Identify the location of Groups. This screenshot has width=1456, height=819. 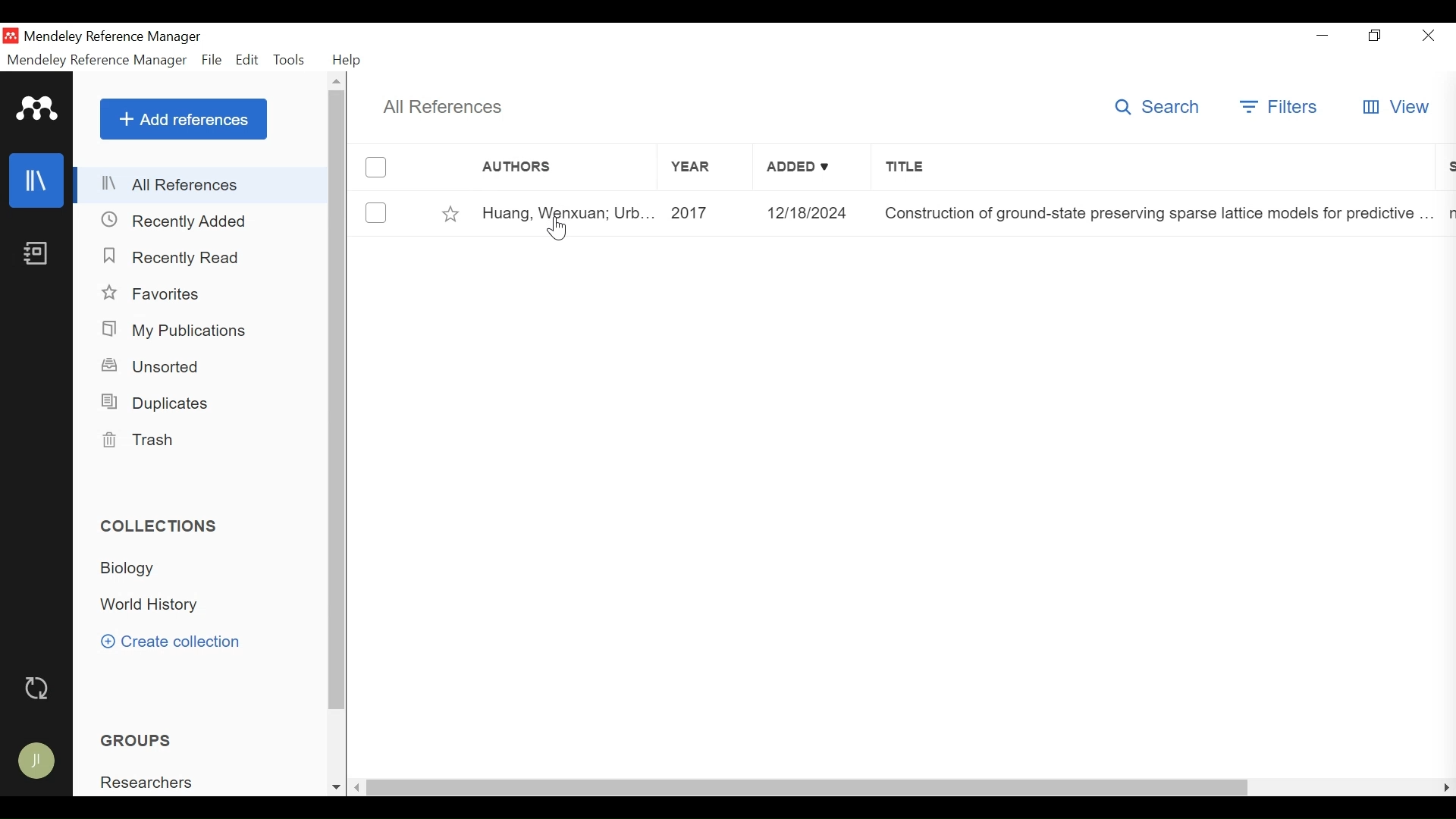
(143, 741).